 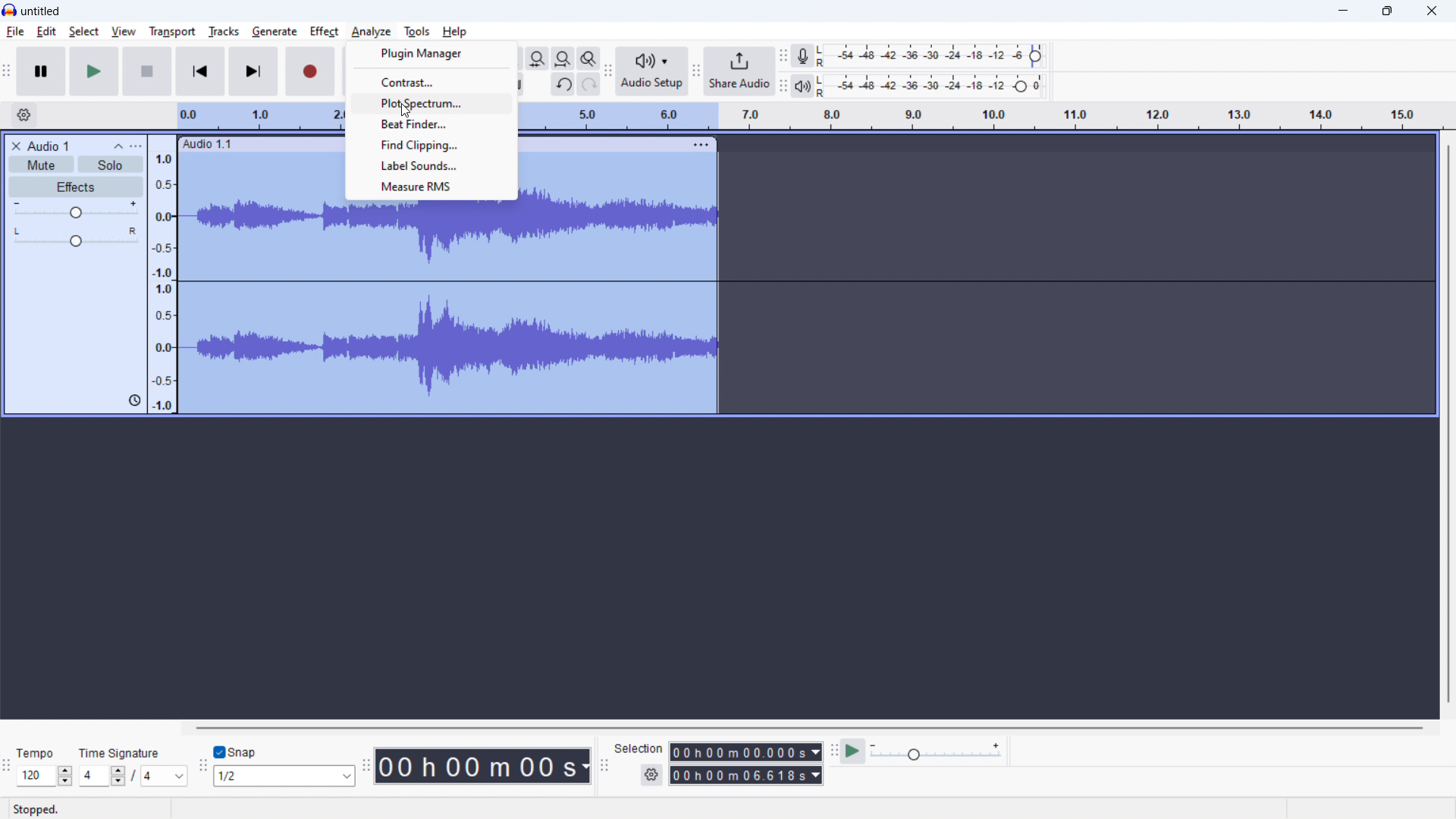 I want to click on measure RMS, so click(x=431, y=188).